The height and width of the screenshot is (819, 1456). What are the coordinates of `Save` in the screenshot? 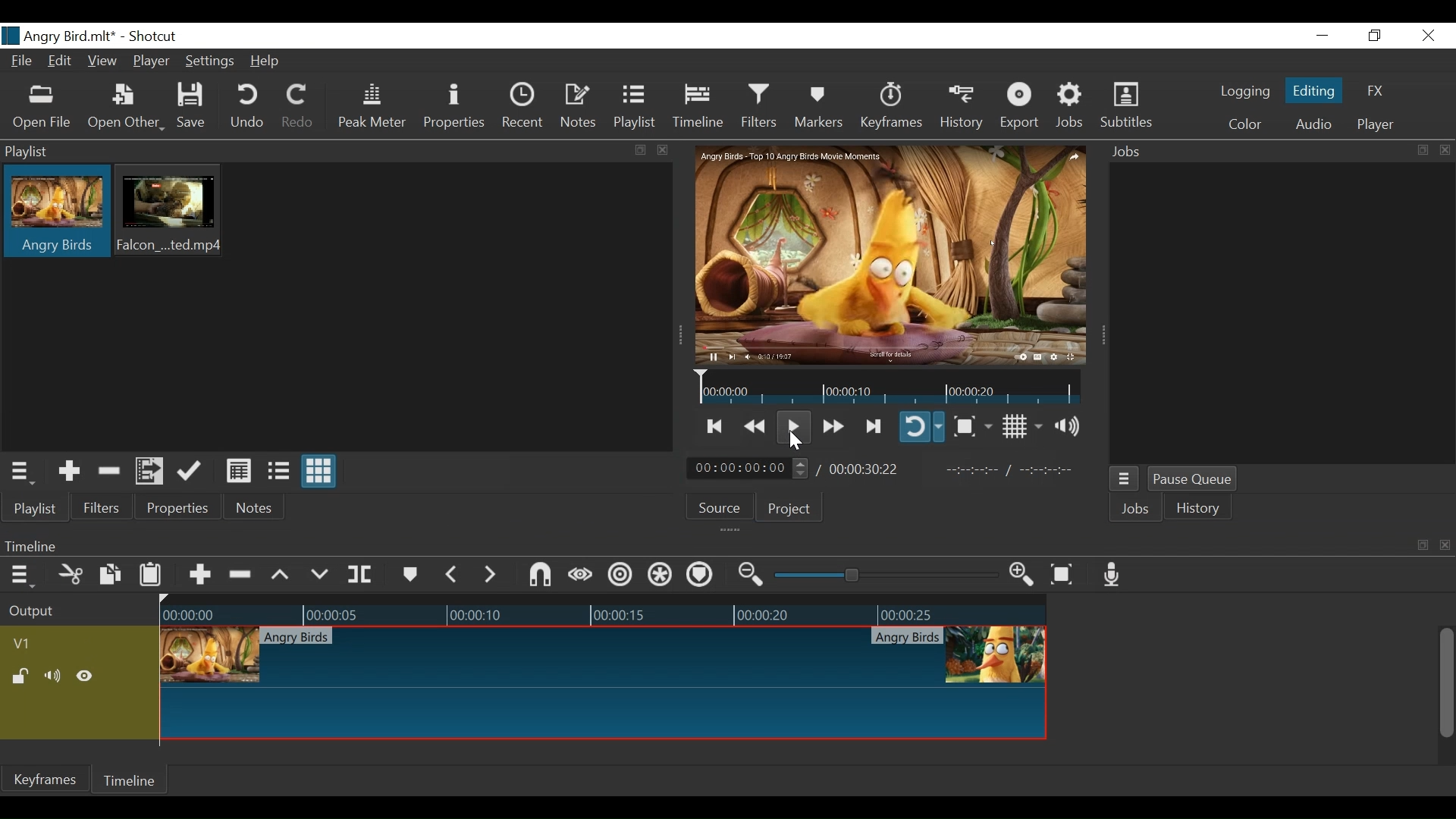 It's located at (196, 108).